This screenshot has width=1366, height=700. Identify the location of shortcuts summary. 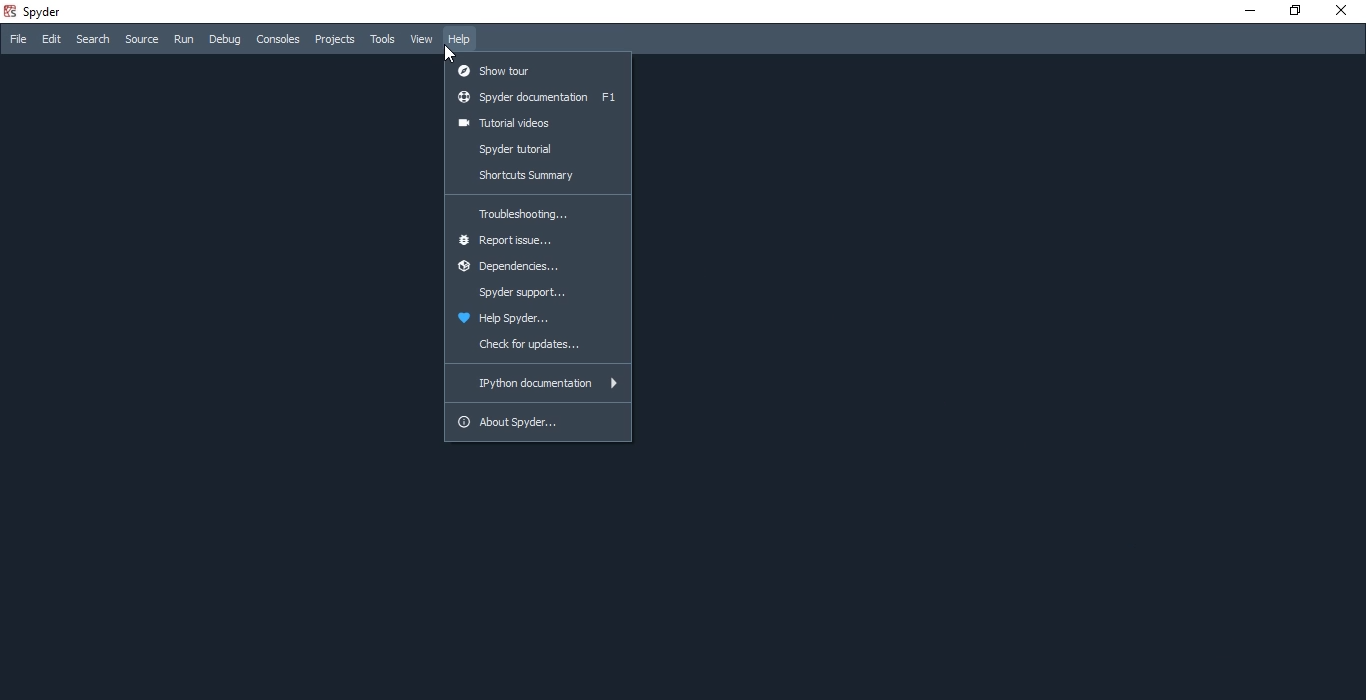
(536, 178).